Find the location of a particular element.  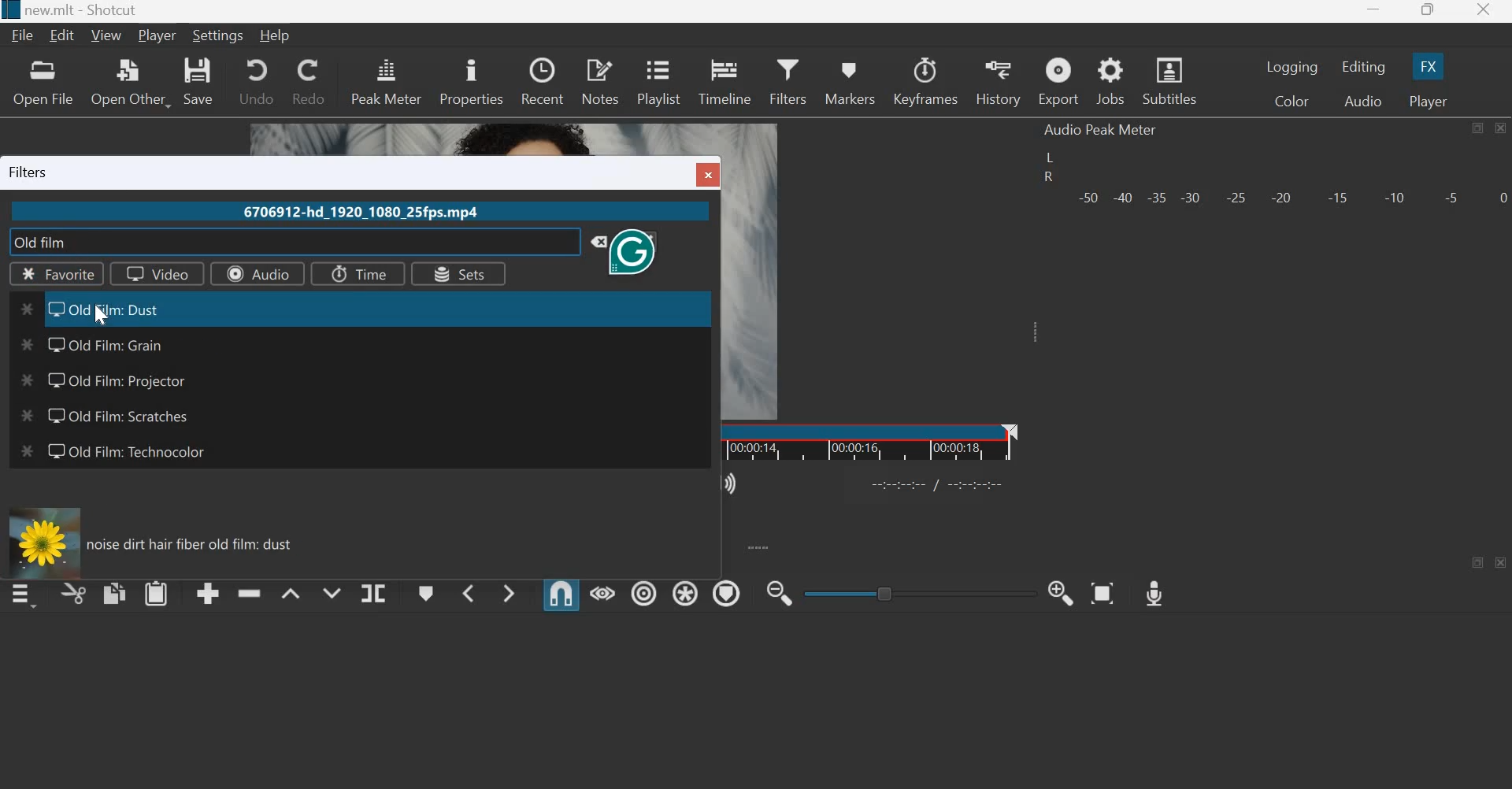

 is located at coordinates (711, 173).